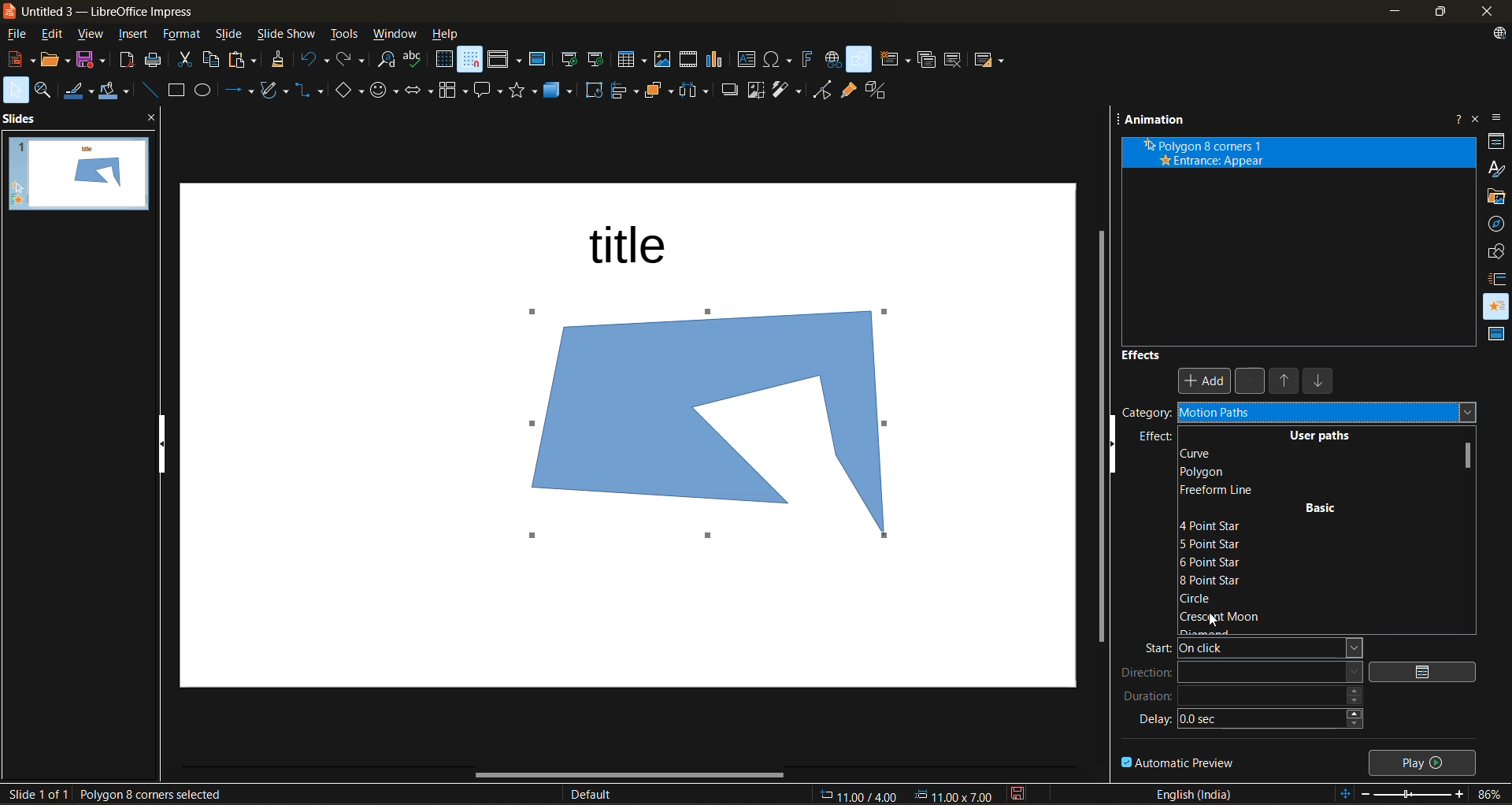 The image size is (1512, 805). I want to click on insert hyperlink, so click(832, 61).